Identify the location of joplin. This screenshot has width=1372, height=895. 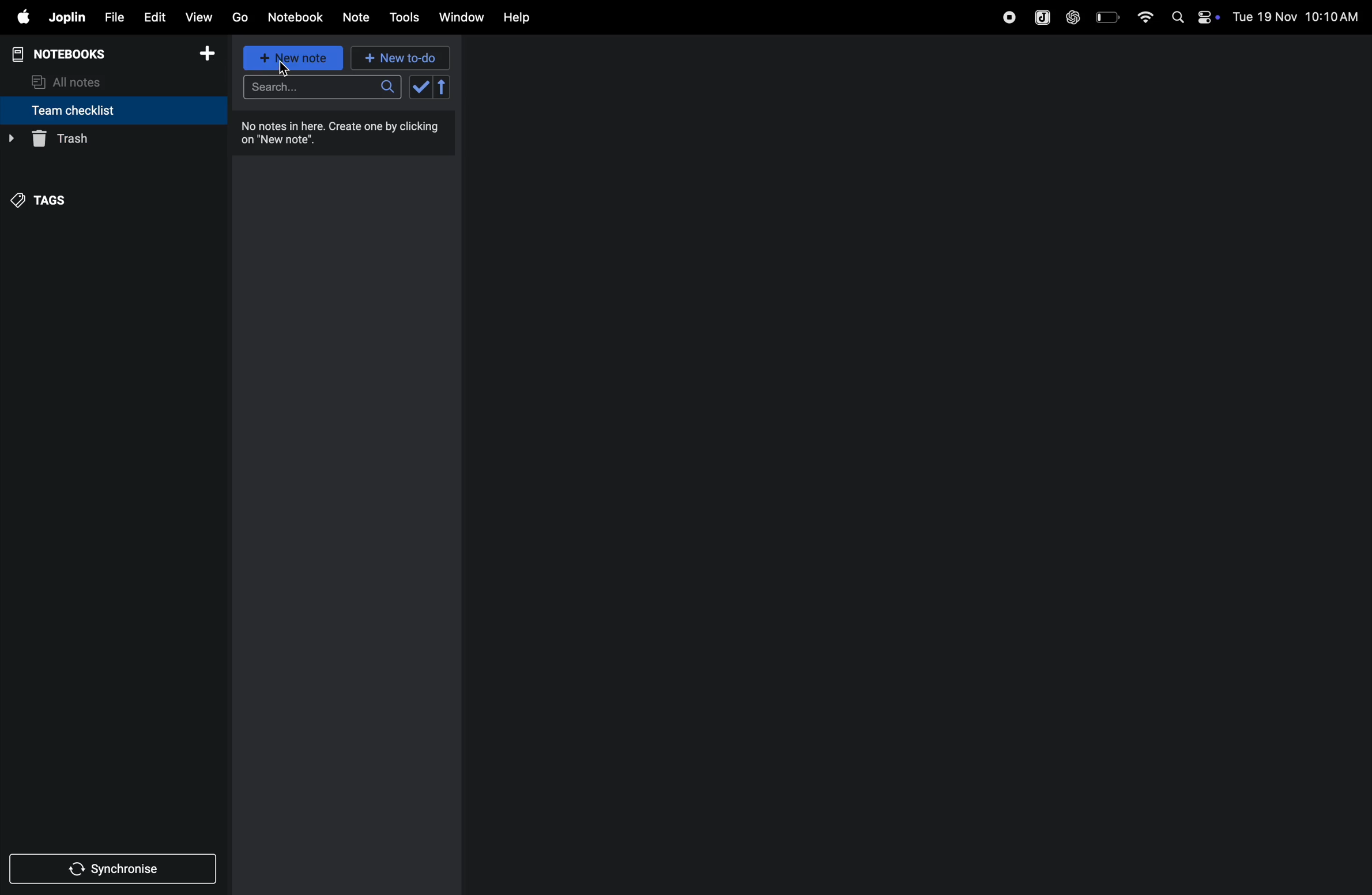
(68, 18).